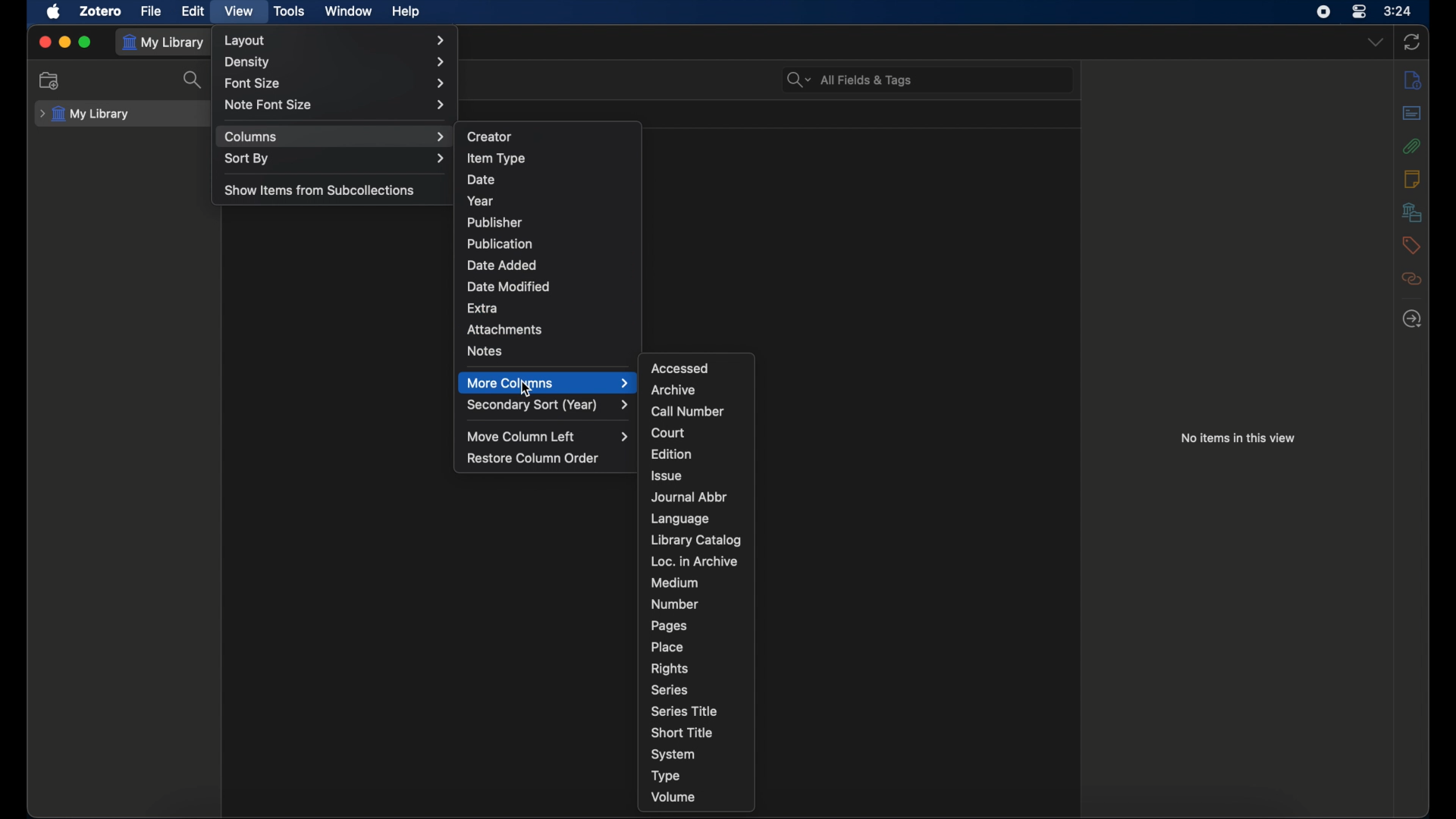 This screenshot has height=819, width=1456. Describe the element at coordinates (319, 191) in the screenshot. I see `show items from sub collections` at that location.